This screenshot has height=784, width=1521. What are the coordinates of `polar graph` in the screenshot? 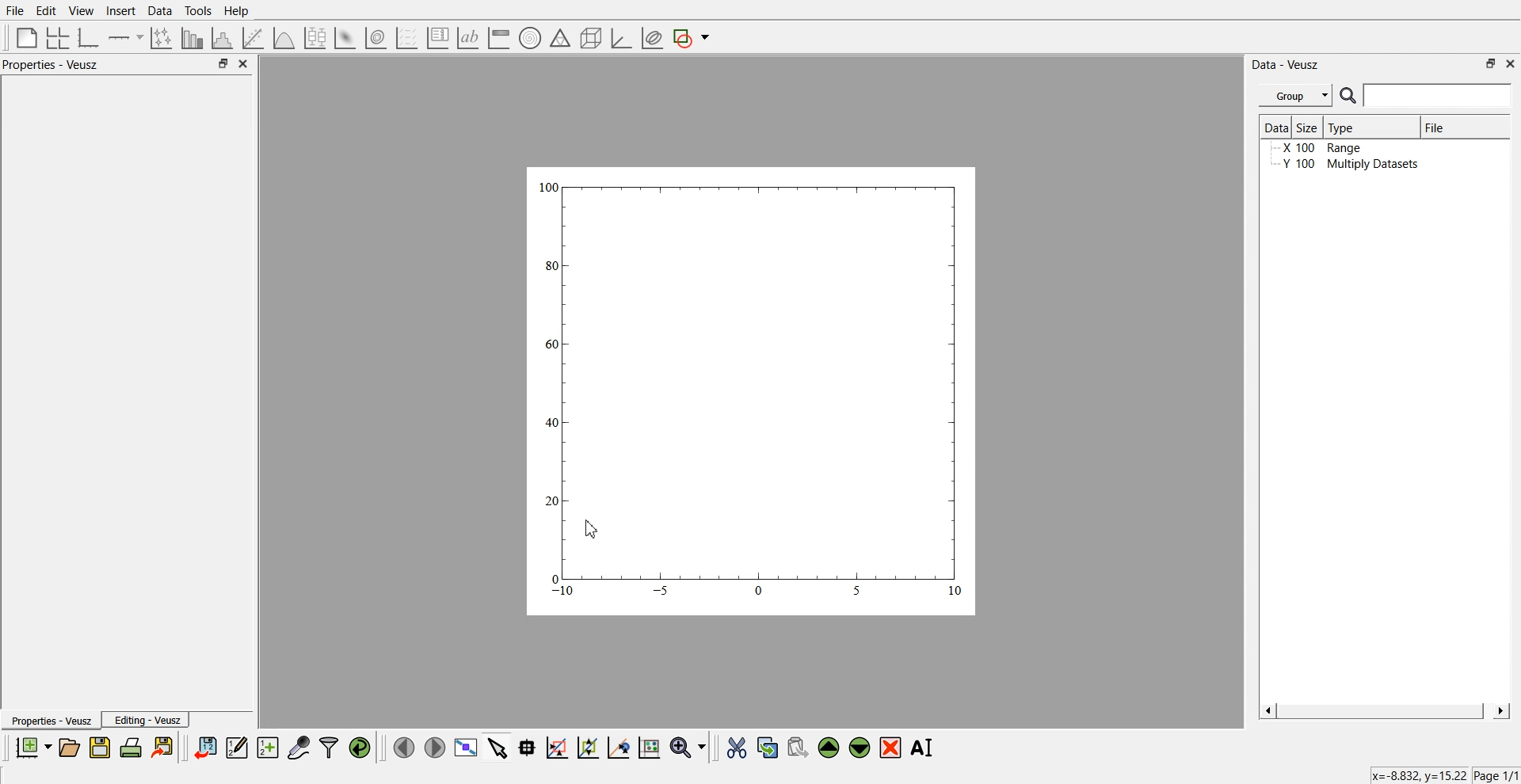 It's located at (529, 40).